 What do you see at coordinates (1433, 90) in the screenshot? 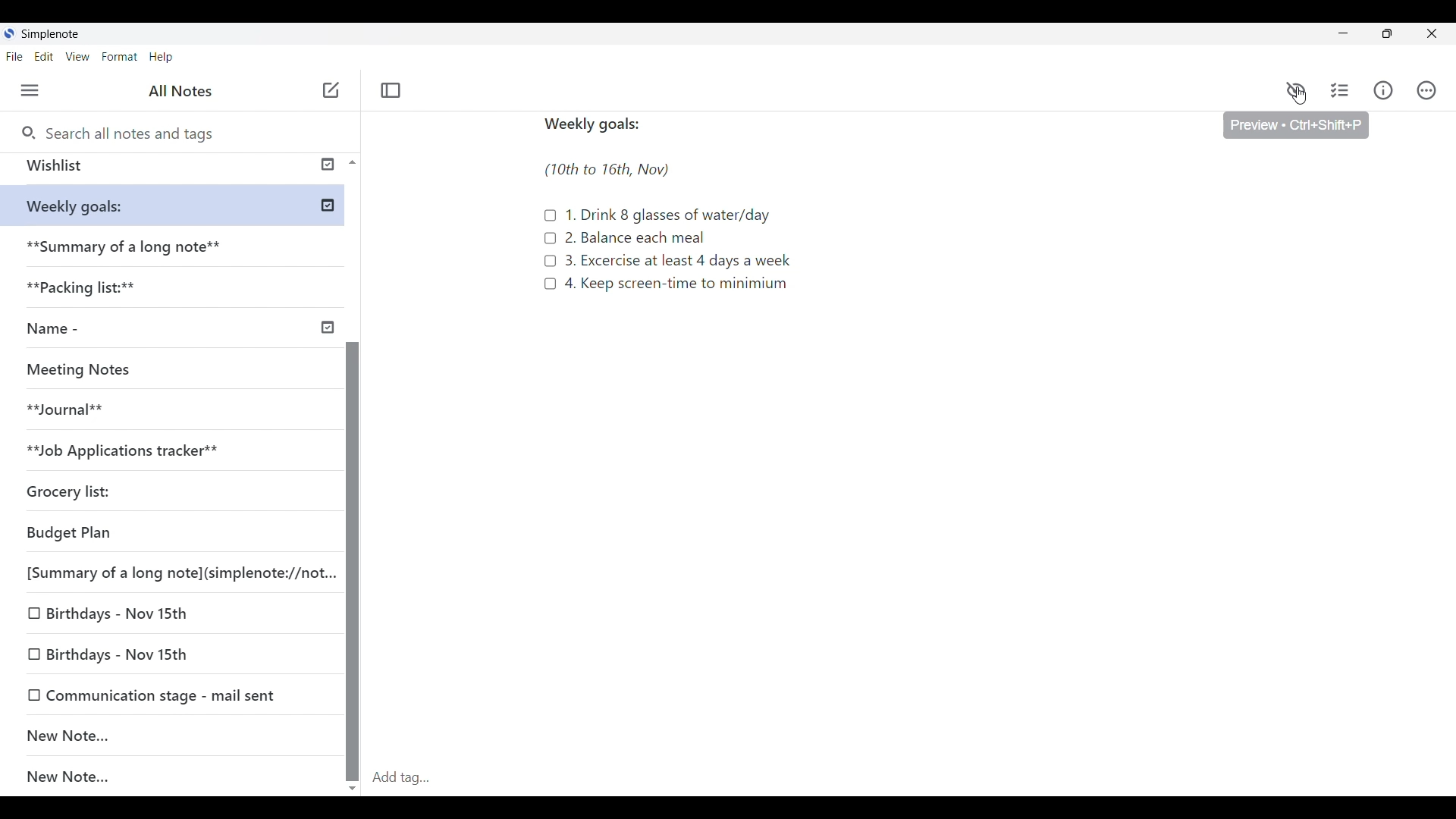
I see `Actions` at bounding box center [1433, 90].